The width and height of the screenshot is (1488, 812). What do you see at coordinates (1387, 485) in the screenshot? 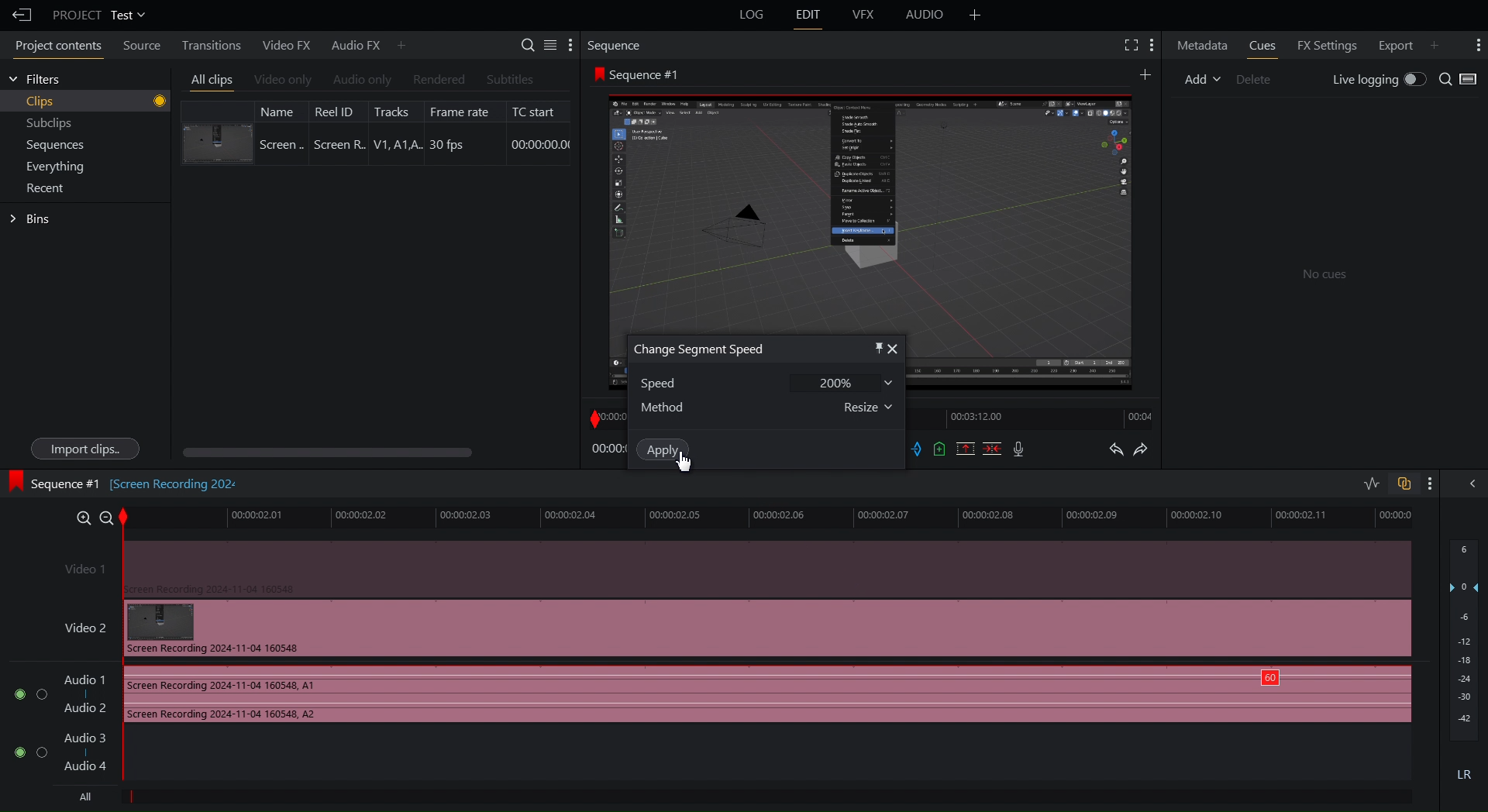
I see `Toggles` at bounding box center [1387, 485].